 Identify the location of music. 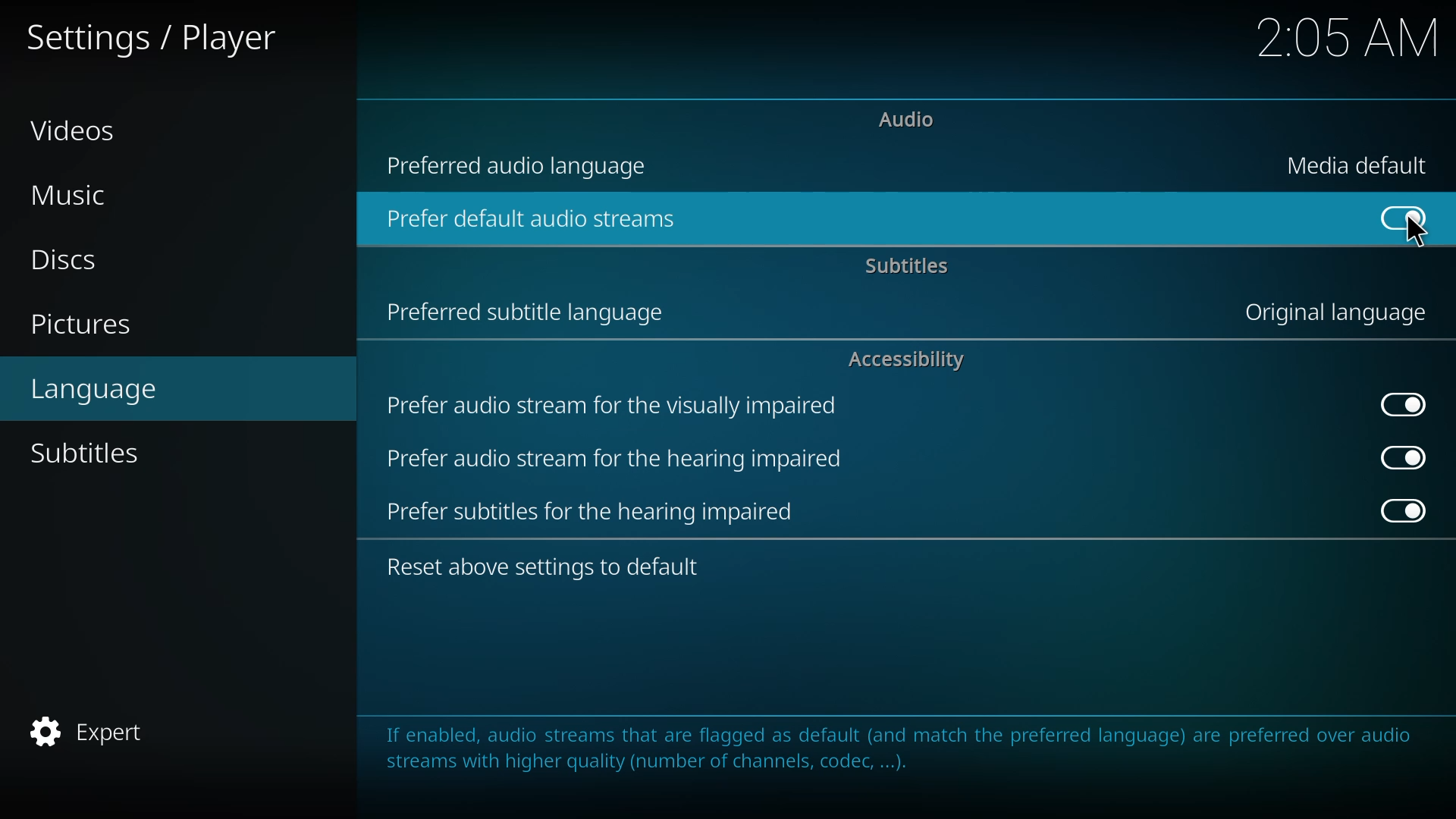
(75, 196).